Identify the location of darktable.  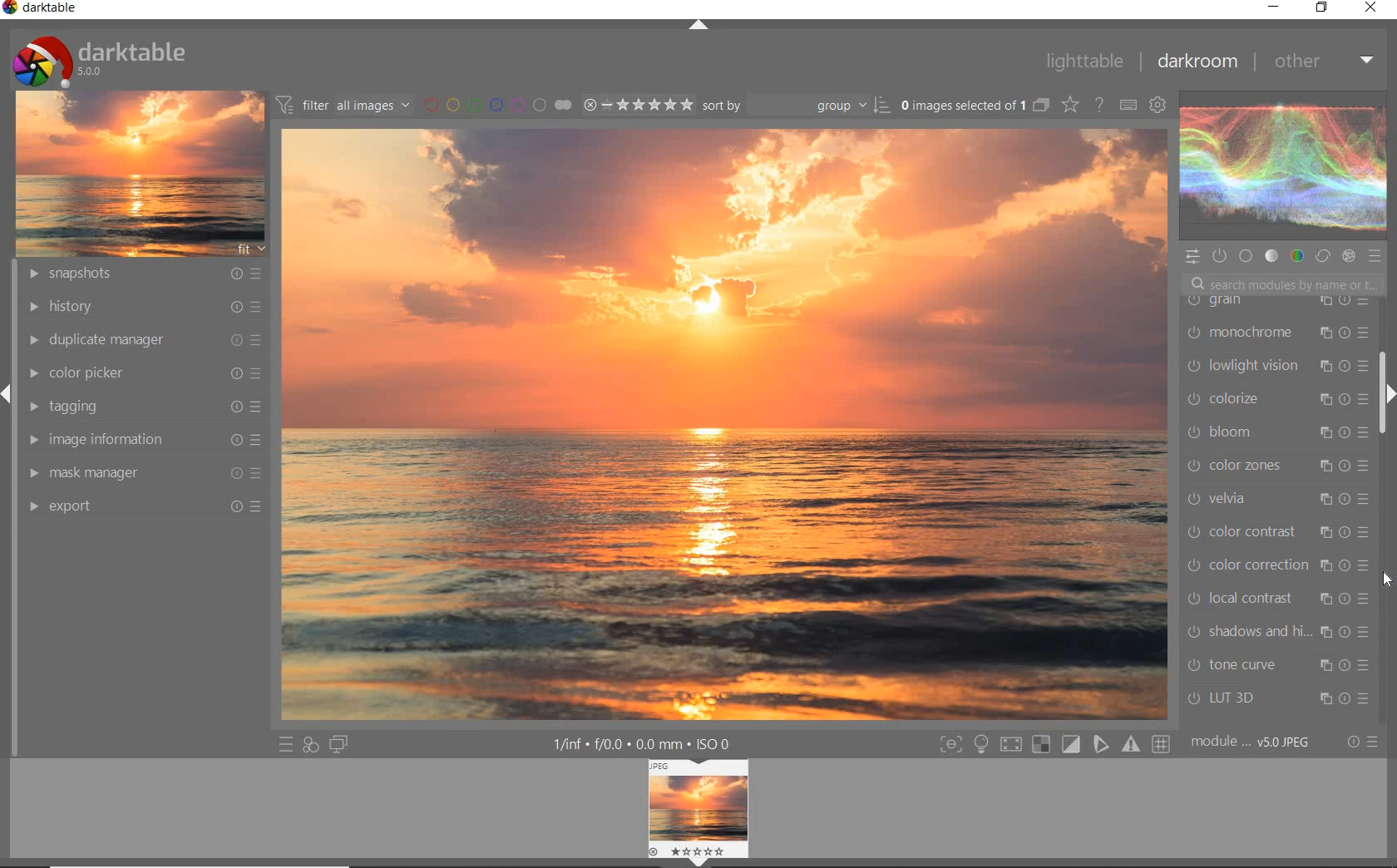
(42, 9).